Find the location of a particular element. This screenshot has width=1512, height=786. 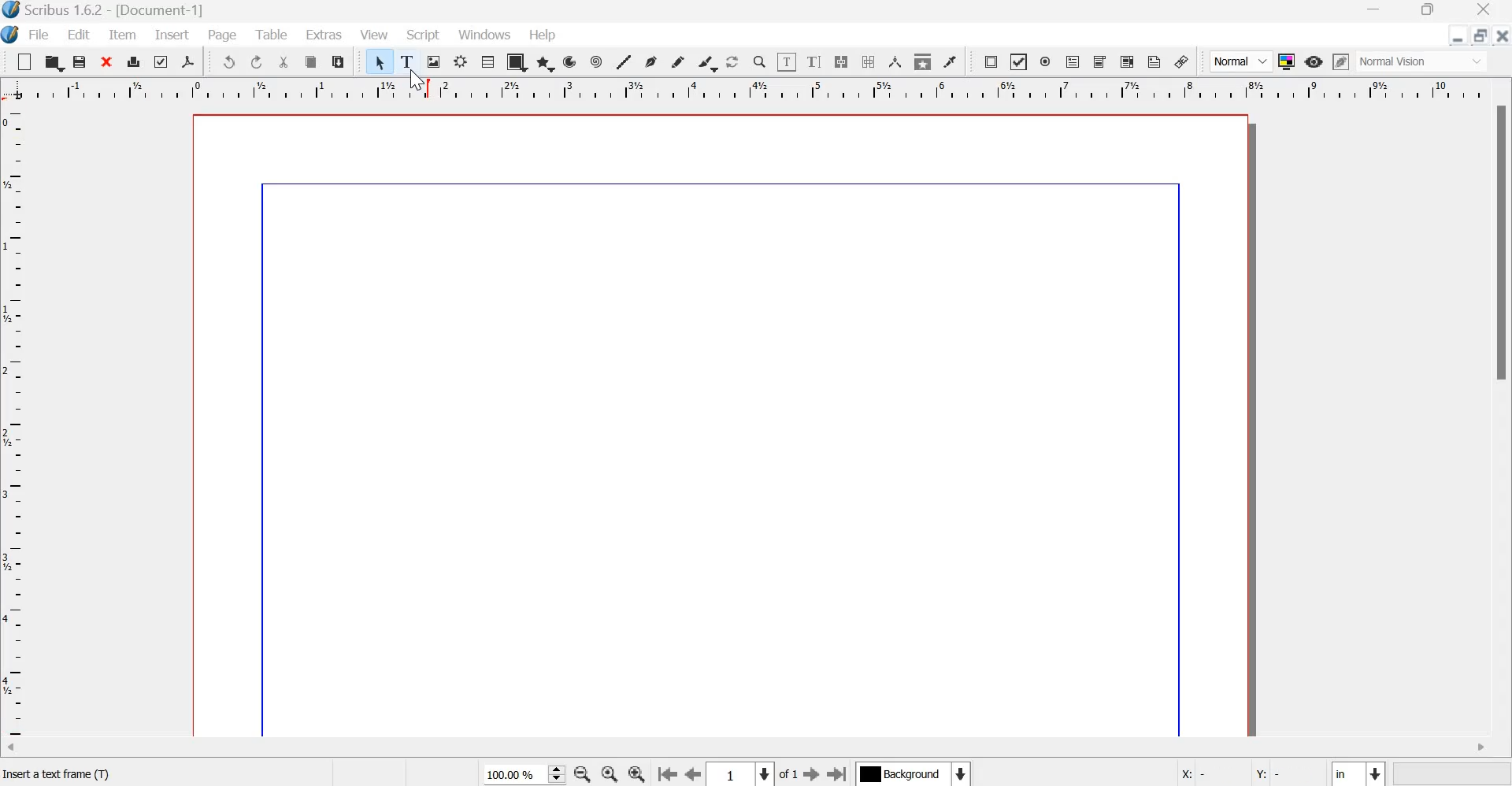

print is located at coordinates (134, 61).